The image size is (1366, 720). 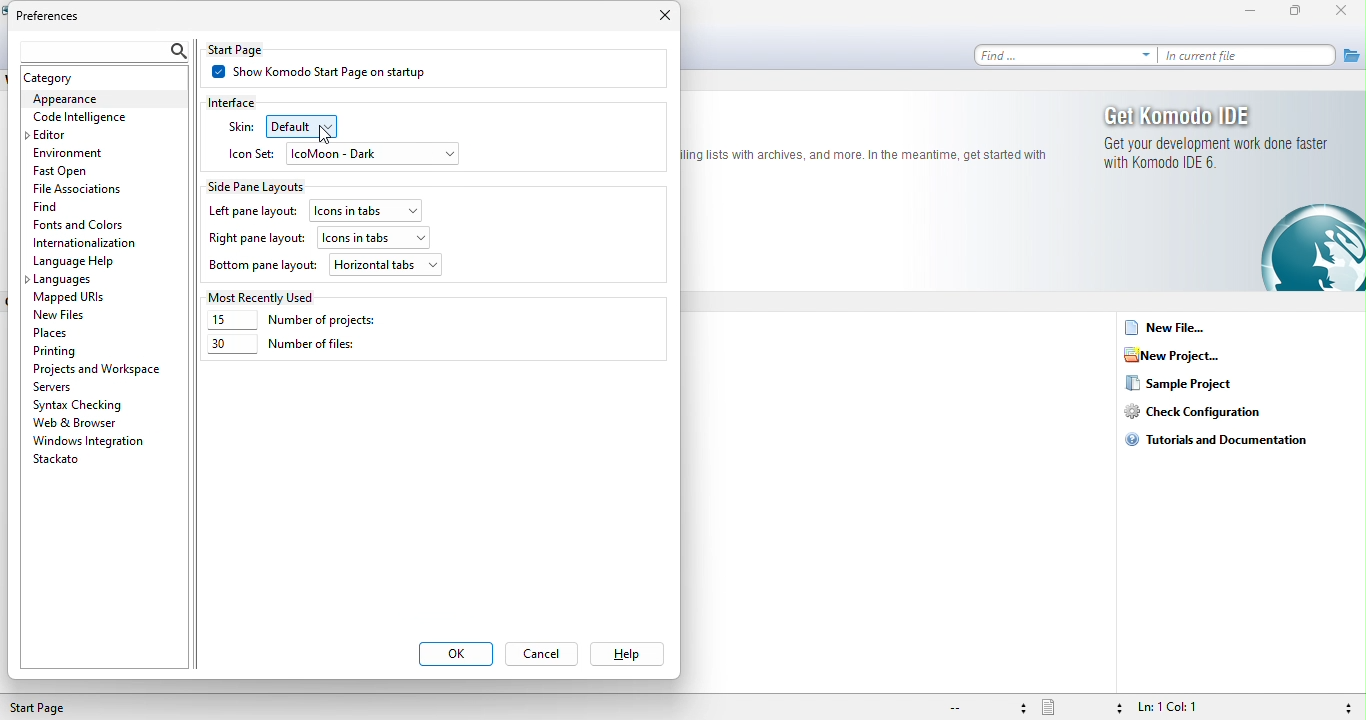 What do you see at coordinates (78, 314) in the screenshot?
I see `new files` at bounding box center [78, 314].